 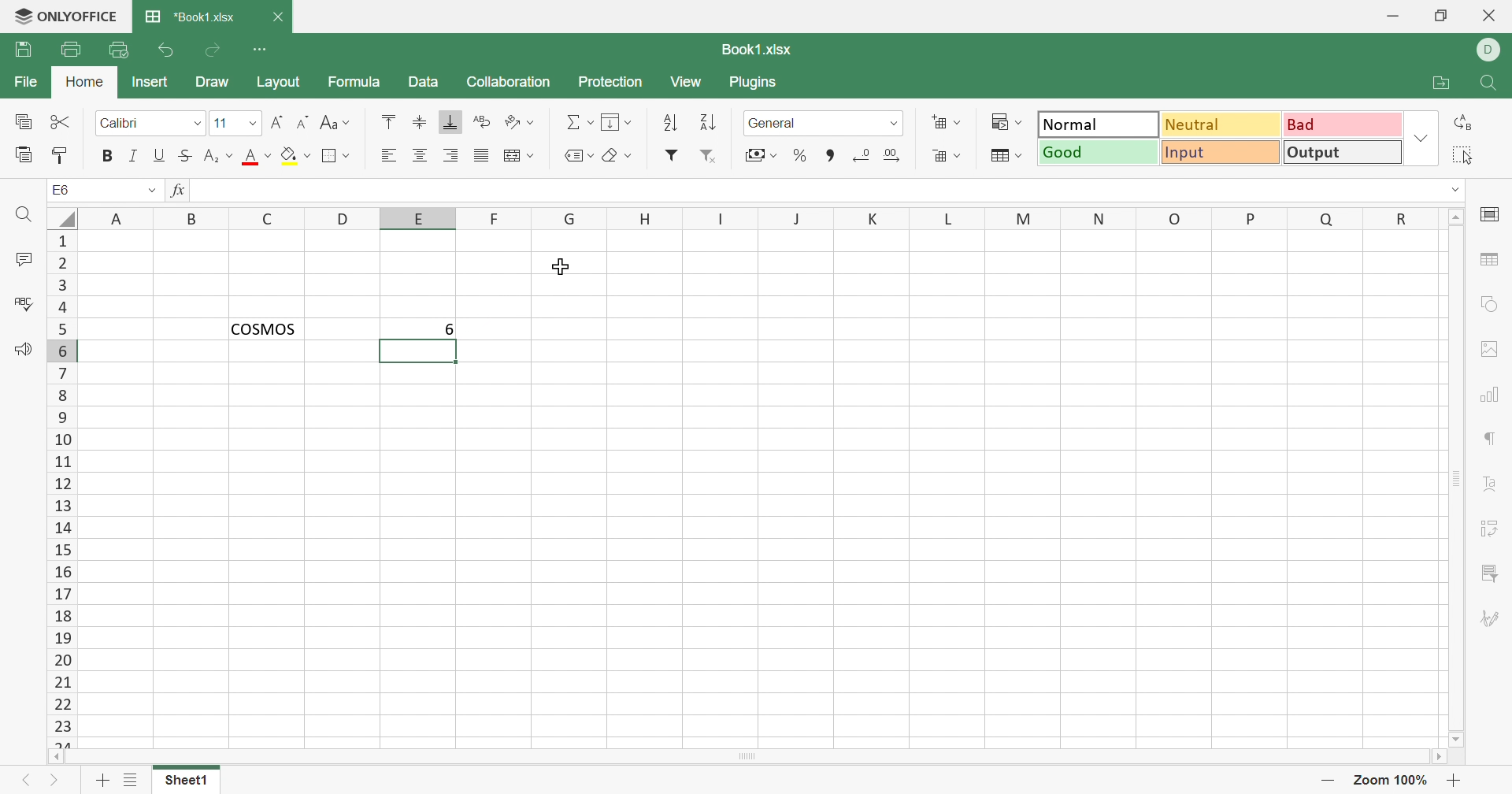 What do you see at coordinates (762, 217) in the screenshot?
I see `Column Names` at bounding box center [762, 217].